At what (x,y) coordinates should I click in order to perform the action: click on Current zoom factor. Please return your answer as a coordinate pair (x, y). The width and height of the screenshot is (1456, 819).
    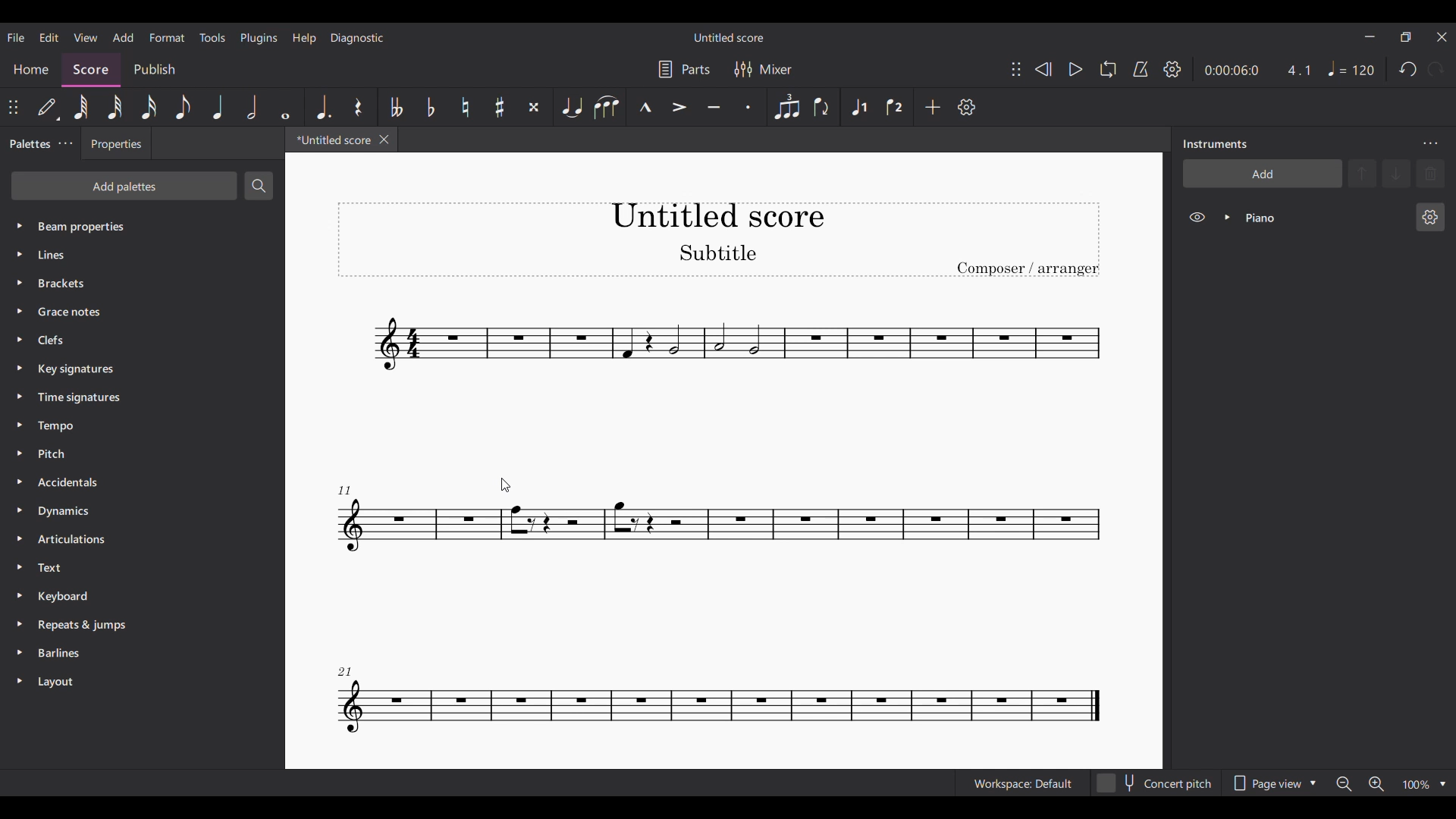
    Looking at the image, I should click on (1417, 784).